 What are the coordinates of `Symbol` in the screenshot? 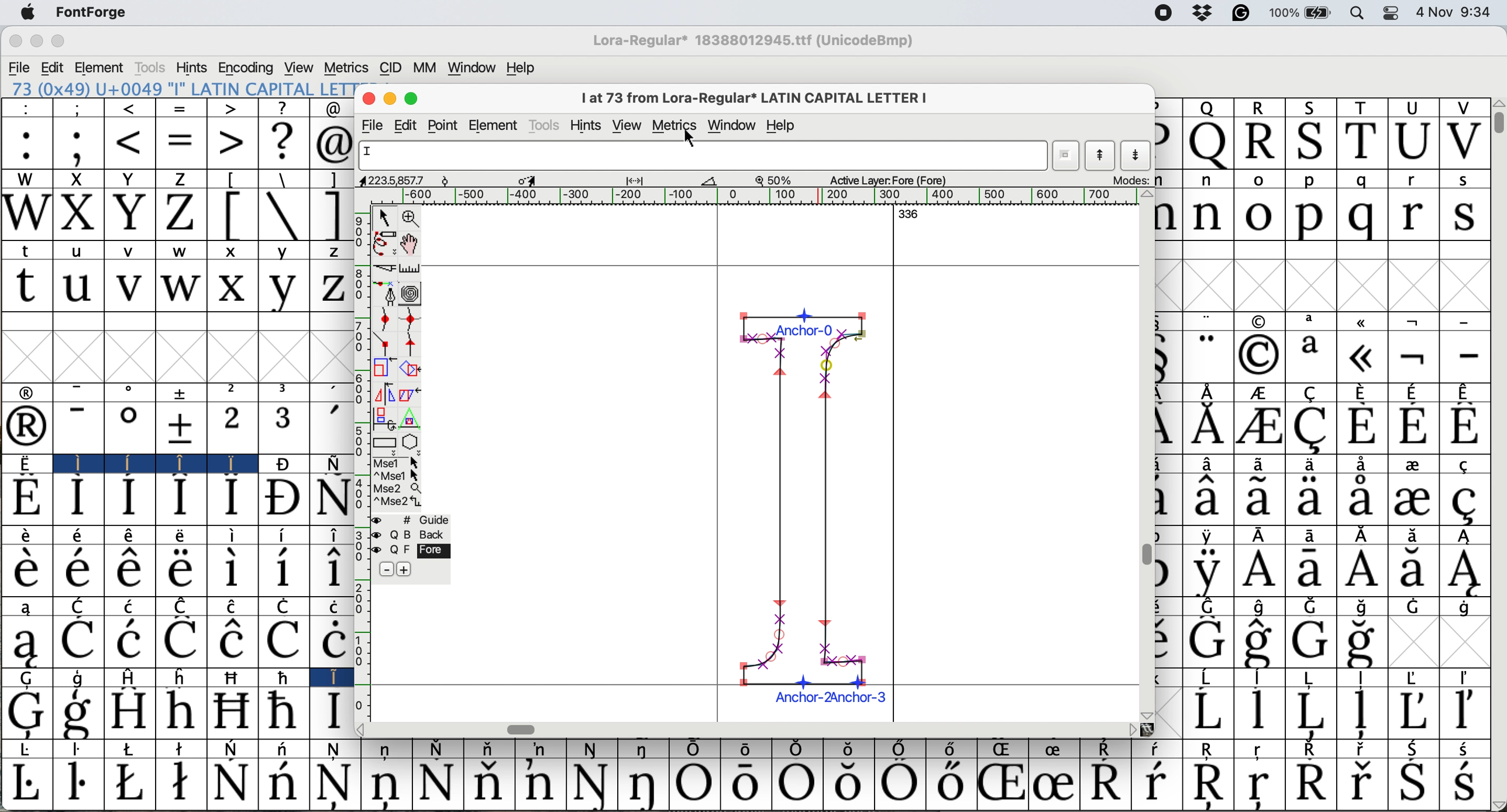 It's located at (129, 570).